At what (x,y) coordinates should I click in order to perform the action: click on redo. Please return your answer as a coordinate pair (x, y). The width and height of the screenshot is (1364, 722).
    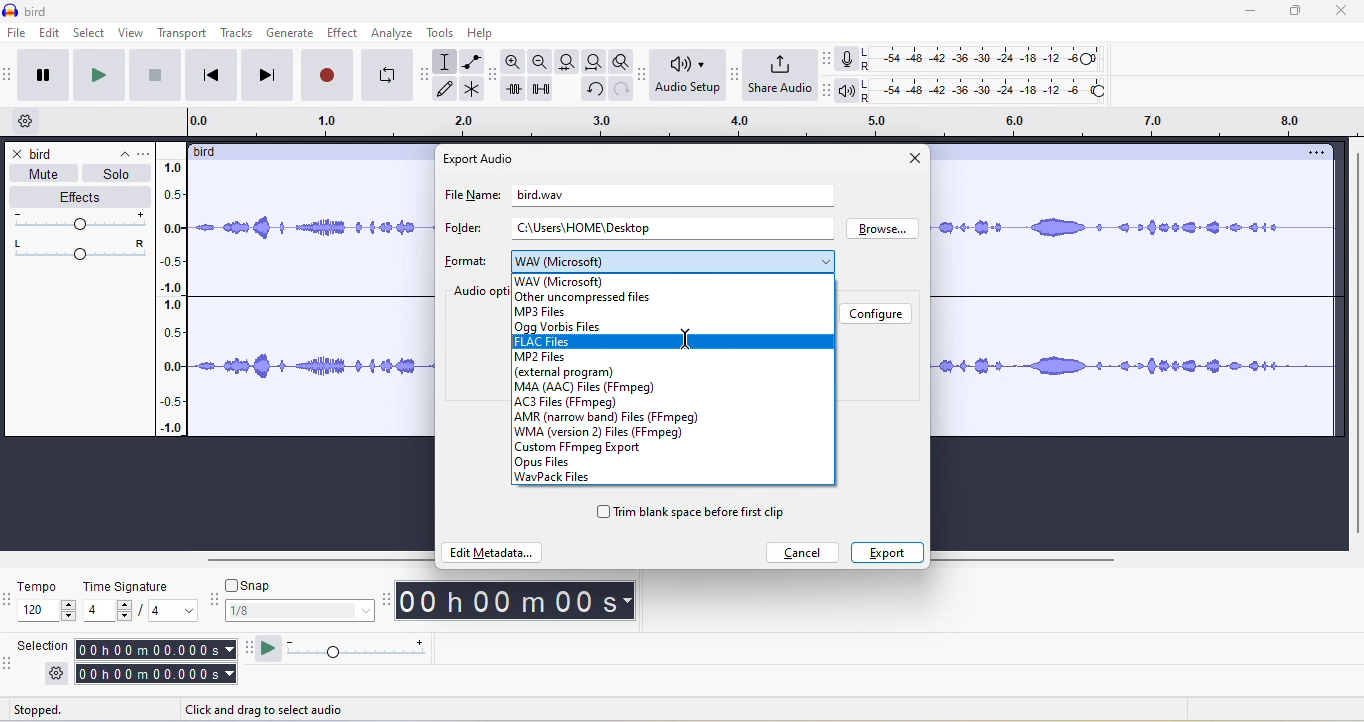
    Looking at the image, I should click on (618, 95).